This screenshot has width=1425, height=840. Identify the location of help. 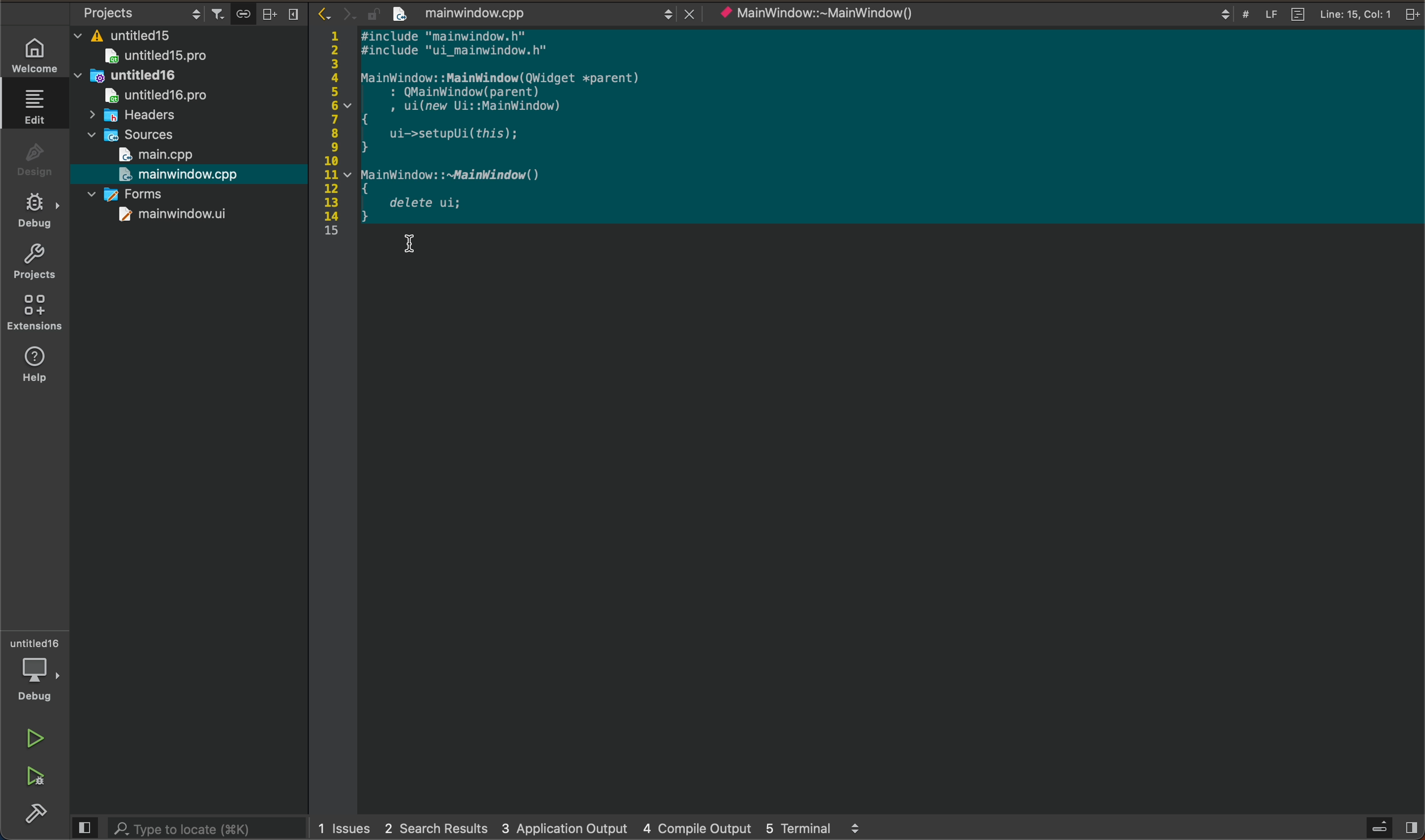
(37, 364).